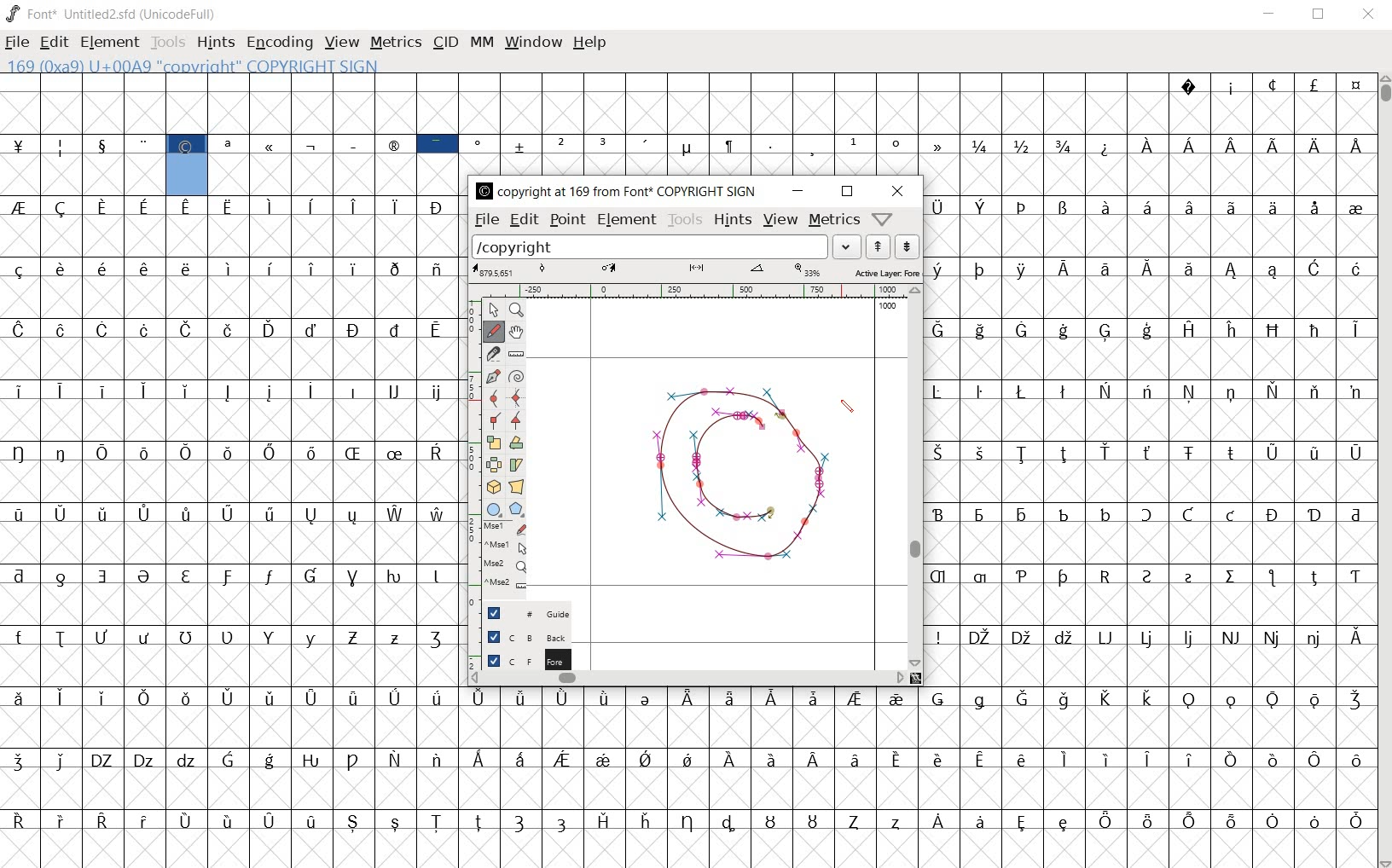 The height and width of the screenshot is (868, 1392). Describe the element at coordinates (444, 43) in the screenshot. I see `cid` at that location.